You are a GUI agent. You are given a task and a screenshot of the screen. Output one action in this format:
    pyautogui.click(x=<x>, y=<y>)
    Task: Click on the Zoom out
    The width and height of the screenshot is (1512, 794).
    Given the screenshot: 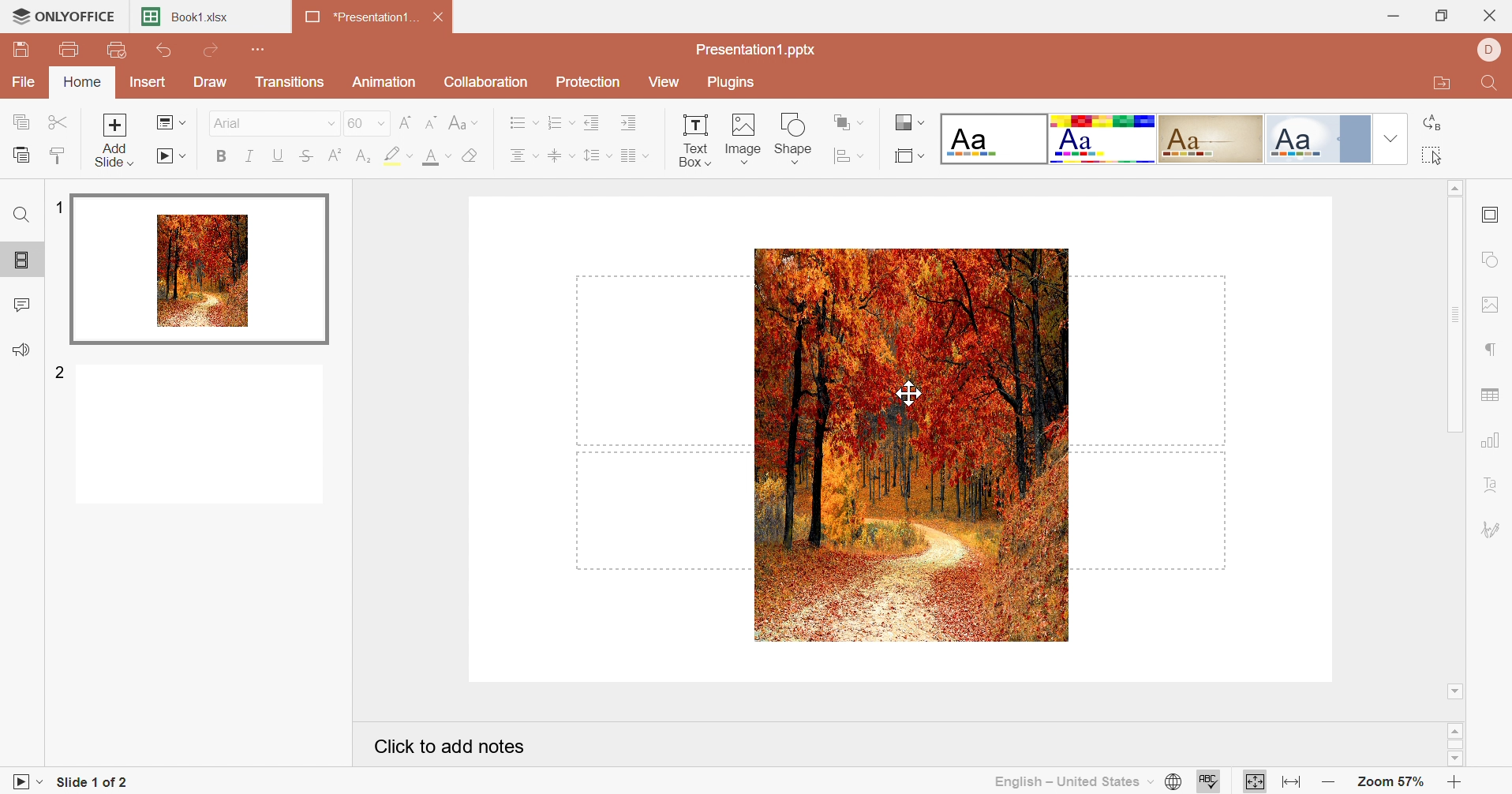 What is the action you would take?
    pyautogui.click(x=1327, y=783)
    